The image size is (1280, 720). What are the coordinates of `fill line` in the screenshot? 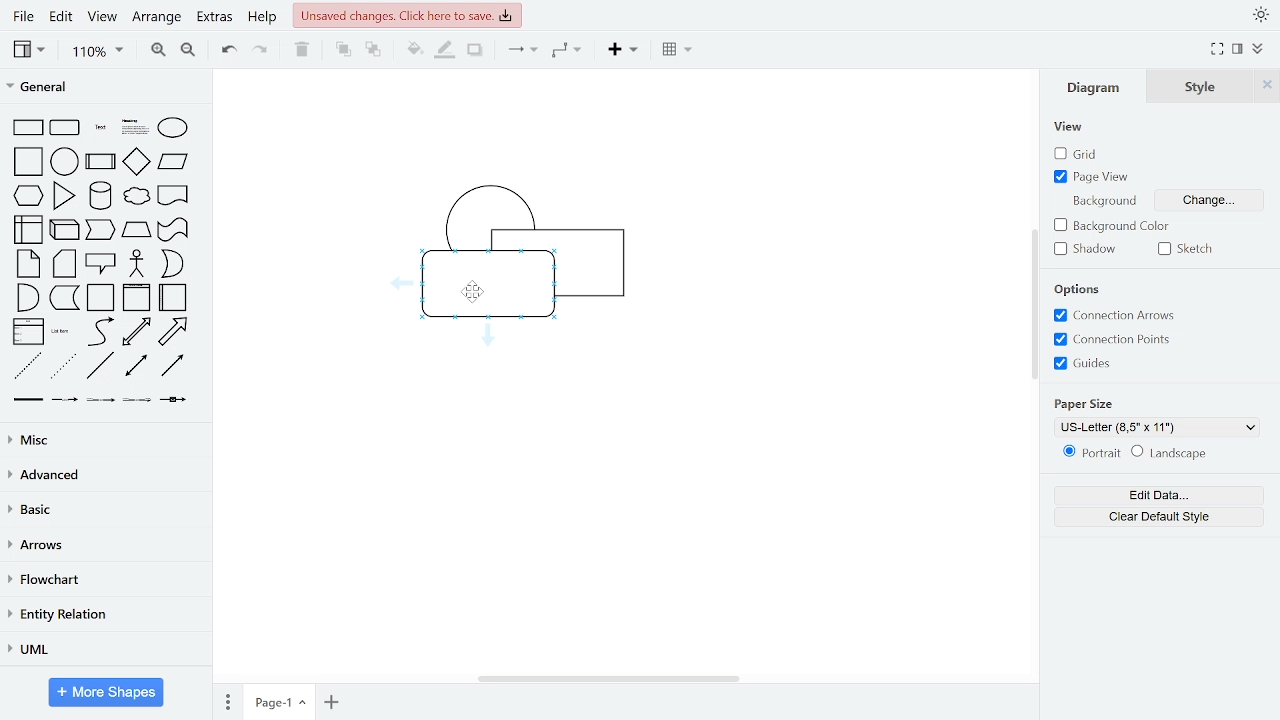 It's located at (446, 51).